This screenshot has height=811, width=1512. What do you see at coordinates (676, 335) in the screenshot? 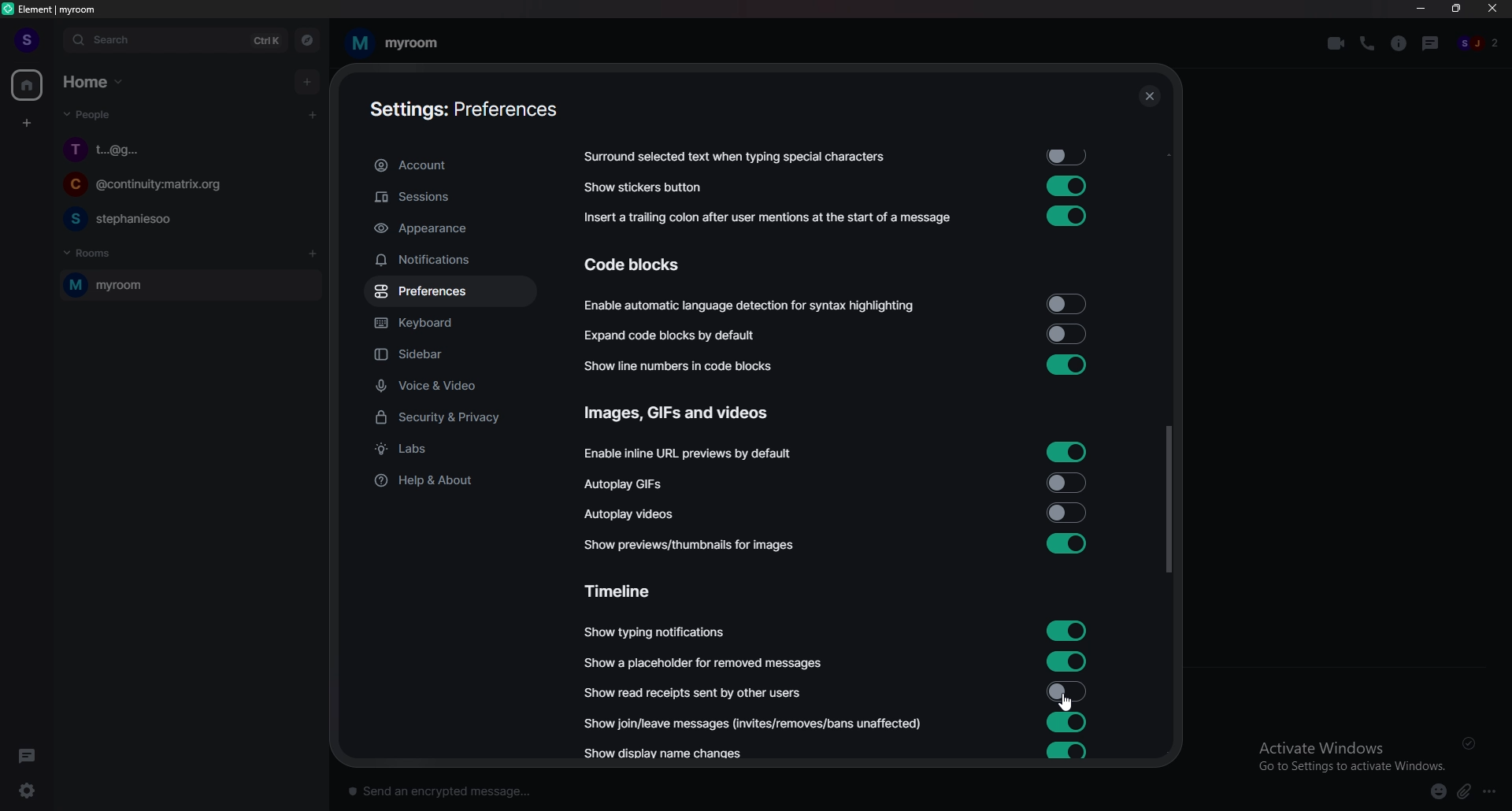
I see `expand code blocks` at bounding box center [676, 335].